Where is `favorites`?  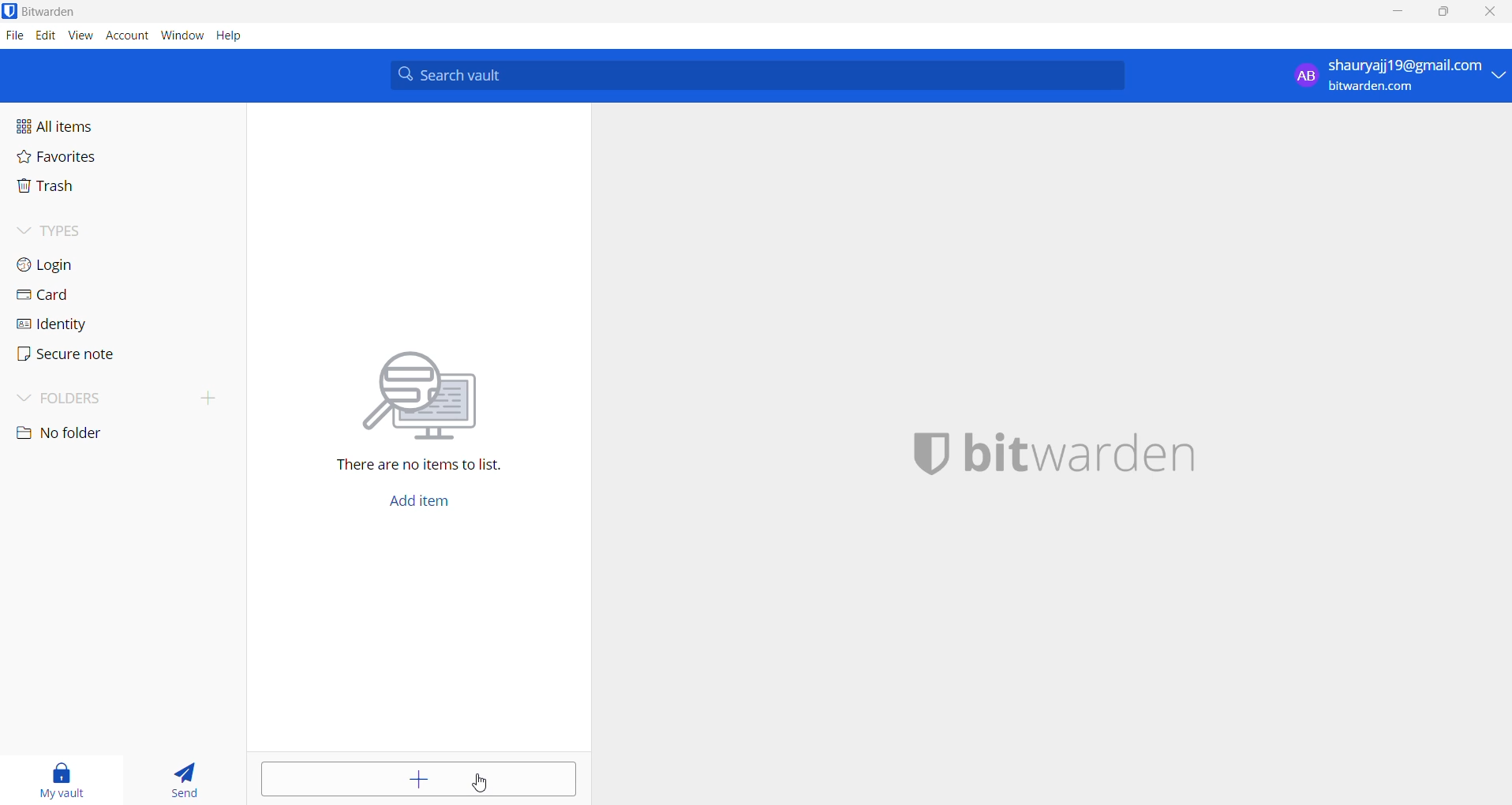
favorites is located at coordinates (80, 159).